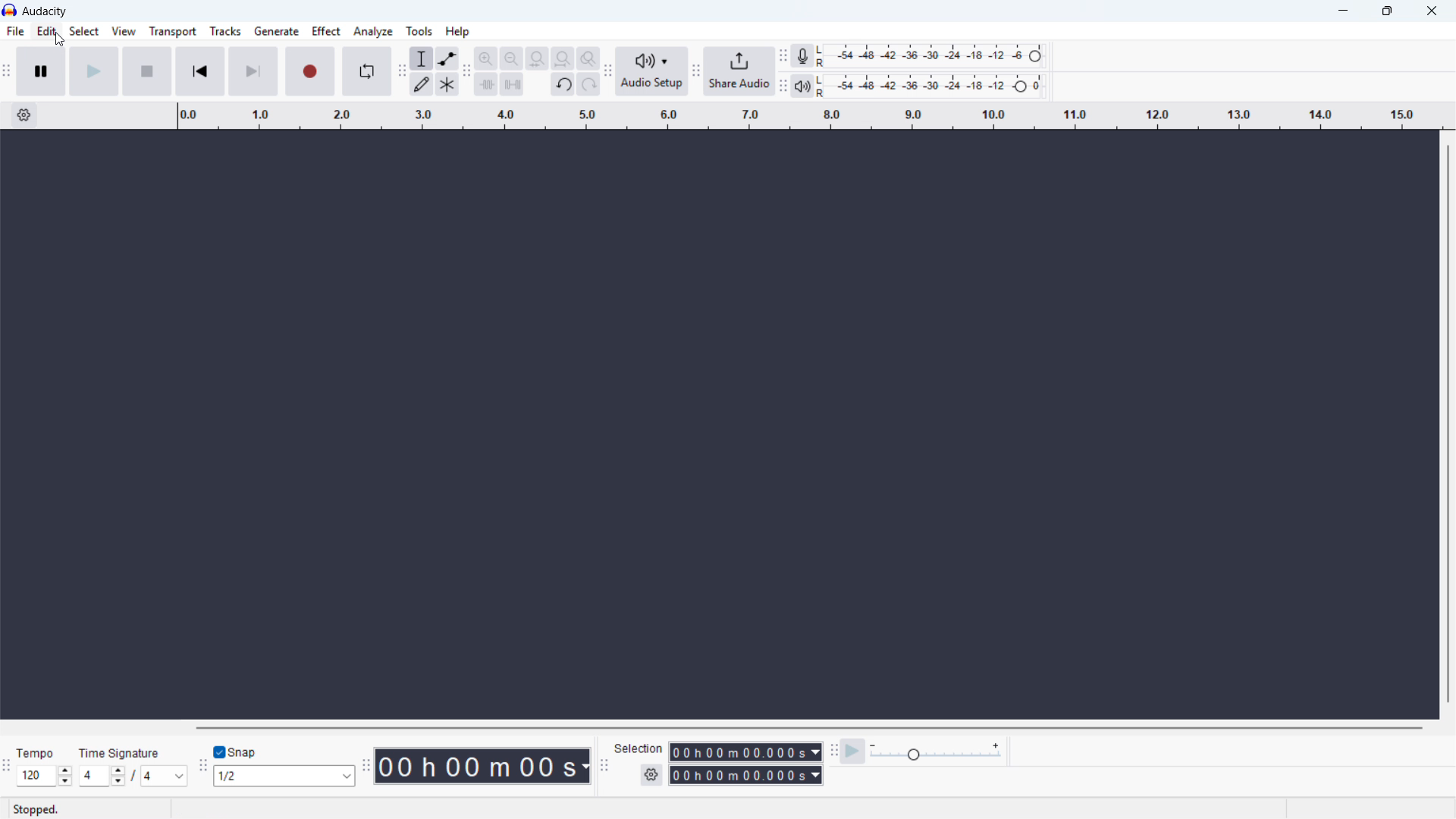 The width and height of the screenshot is (1456, 819). I want to click on draw tool, so click(422, 83).